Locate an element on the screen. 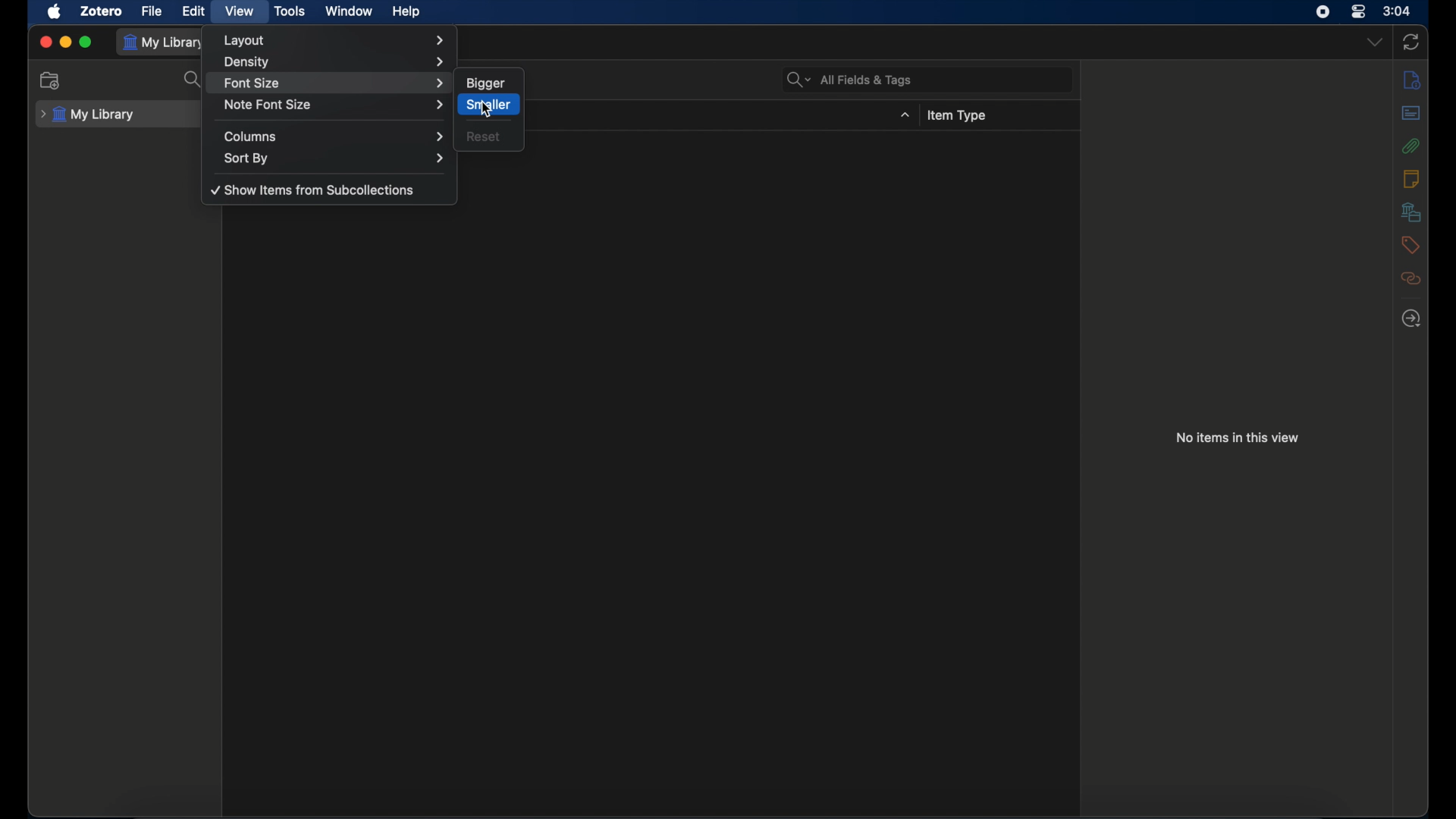 The width and height of the screenshot is (1456, 819). all fields & tags is located at coordinates (850, 80).